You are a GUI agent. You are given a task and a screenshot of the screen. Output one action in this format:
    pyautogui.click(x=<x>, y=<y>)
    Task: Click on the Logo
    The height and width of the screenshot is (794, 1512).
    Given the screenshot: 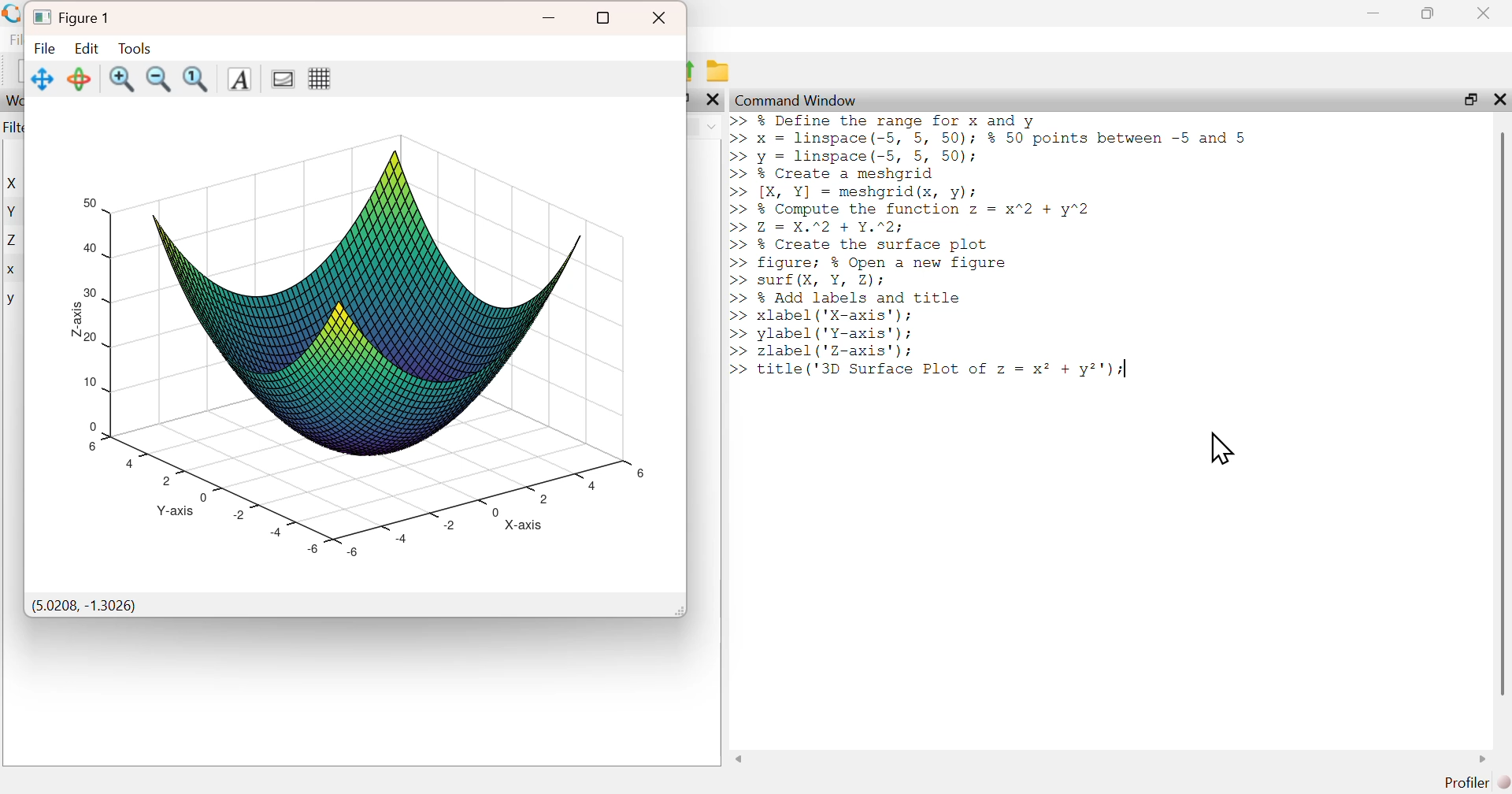 What is the action you would take?
    pyautogui.click(x=13, y=14)
    